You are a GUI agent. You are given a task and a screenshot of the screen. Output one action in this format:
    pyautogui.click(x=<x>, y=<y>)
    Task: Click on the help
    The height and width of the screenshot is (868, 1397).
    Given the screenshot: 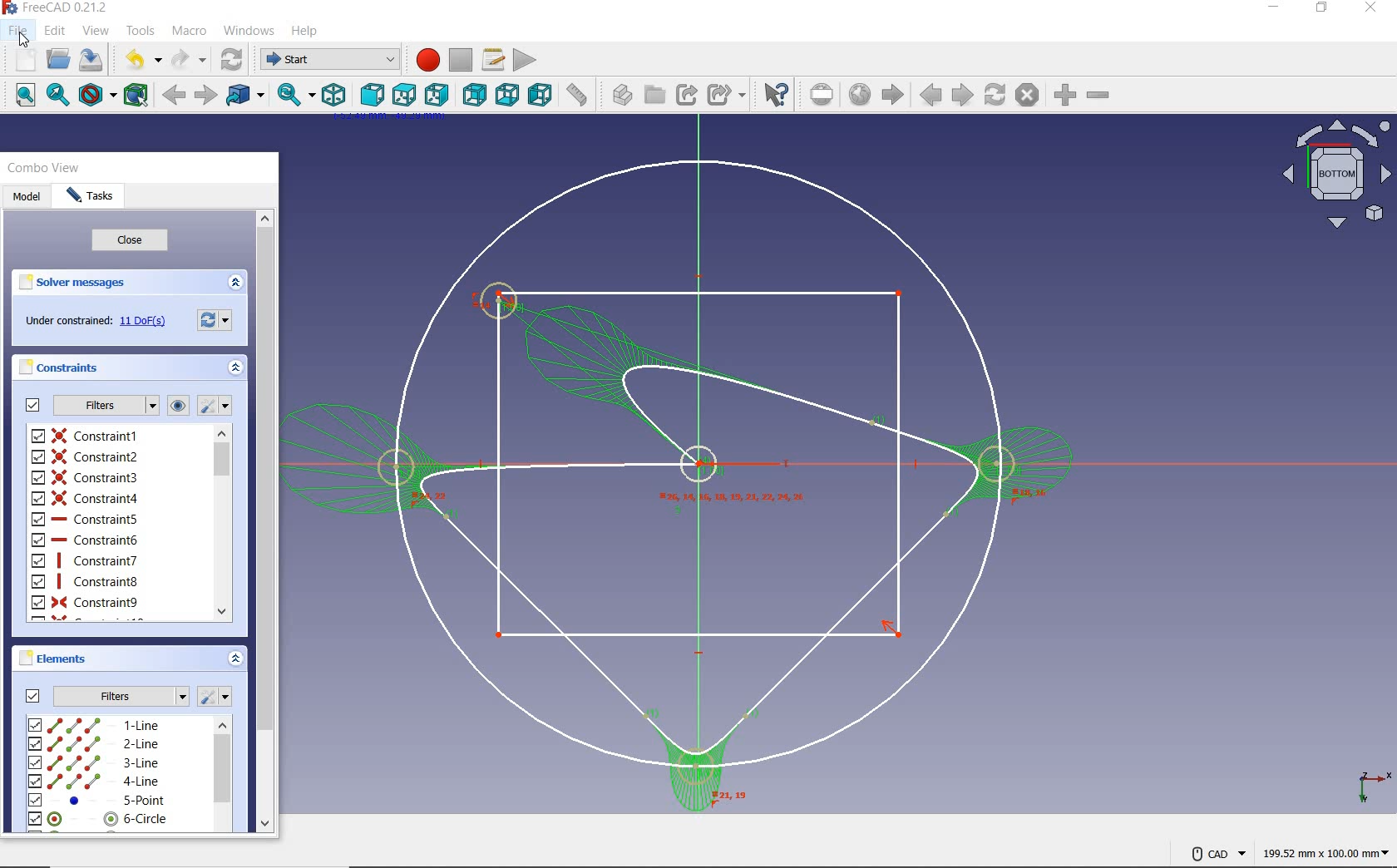 What is the action you would take?
    pyautogui.click(x=305, y=31)
    